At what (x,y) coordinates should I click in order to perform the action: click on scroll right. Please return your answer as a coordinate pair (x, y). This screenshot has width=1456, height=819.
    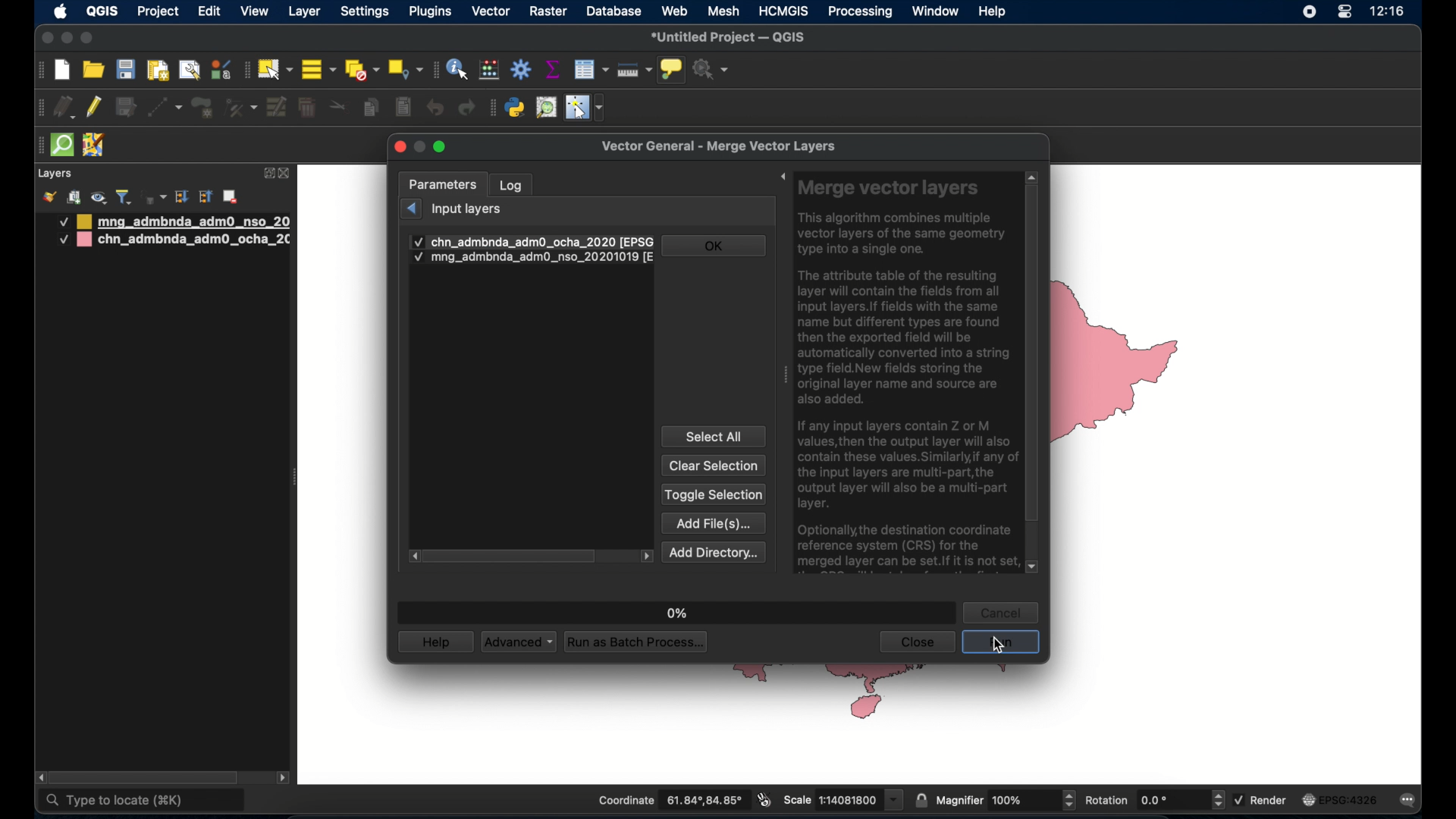
    Looking at the image, I should click on (411, 557).